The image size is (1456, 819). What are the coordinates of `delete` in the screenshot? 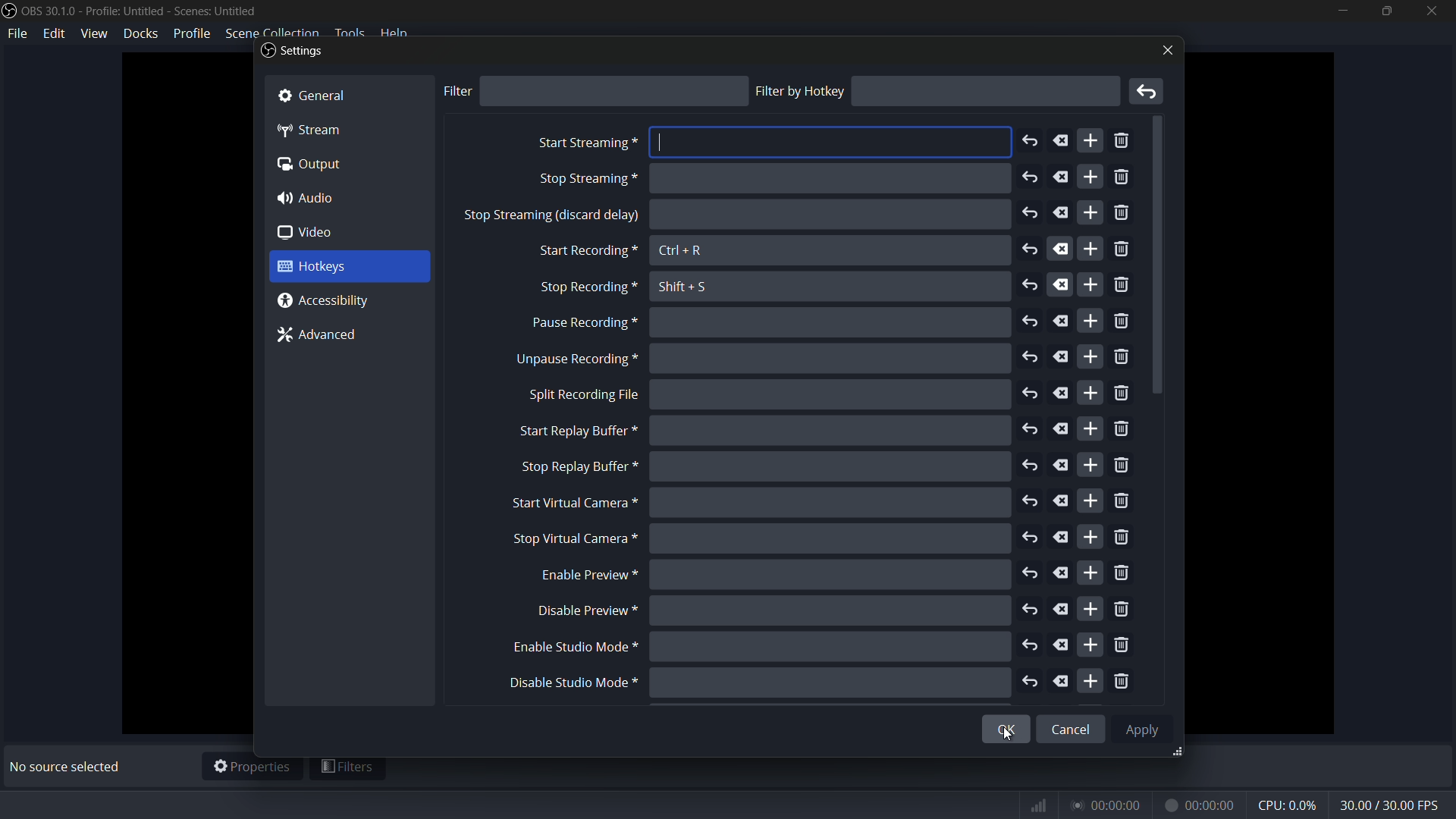 It's located at (1061, 140).